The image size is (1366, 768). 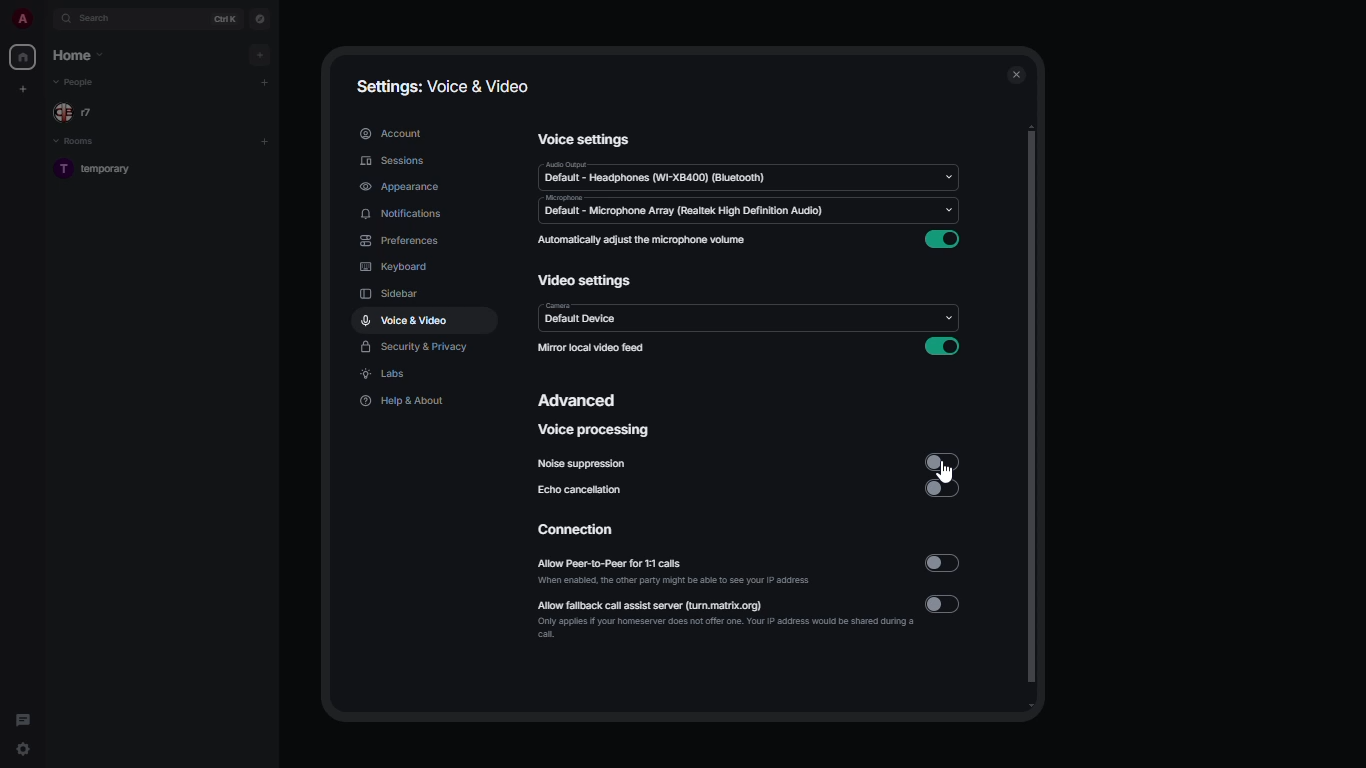 What do you see at coordinates (23, 751) in the screenshot?
I see `quick settings` at bounding box center [23, 751].